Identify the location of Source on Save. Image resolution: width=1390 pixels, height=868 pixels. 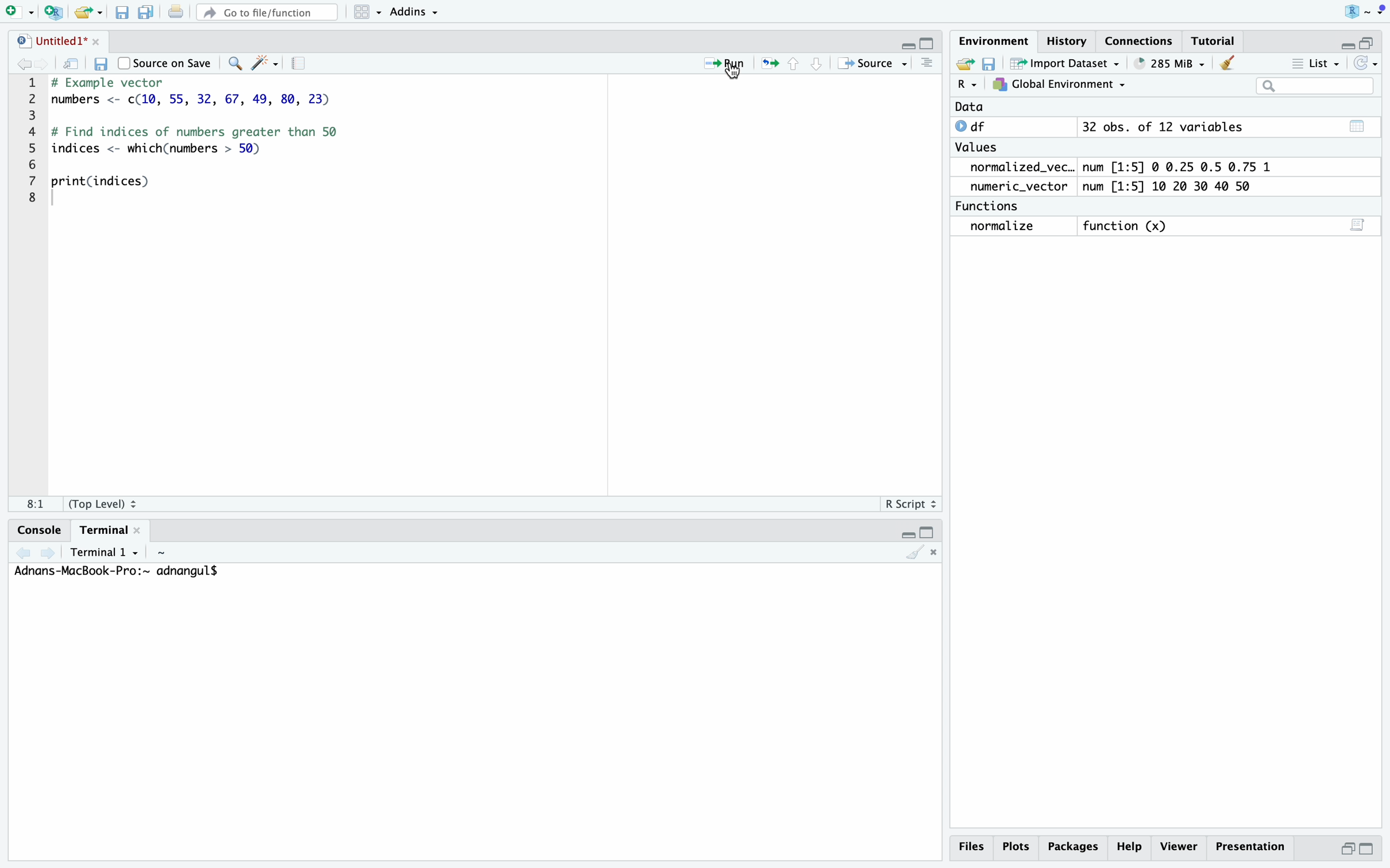
(166, 63).